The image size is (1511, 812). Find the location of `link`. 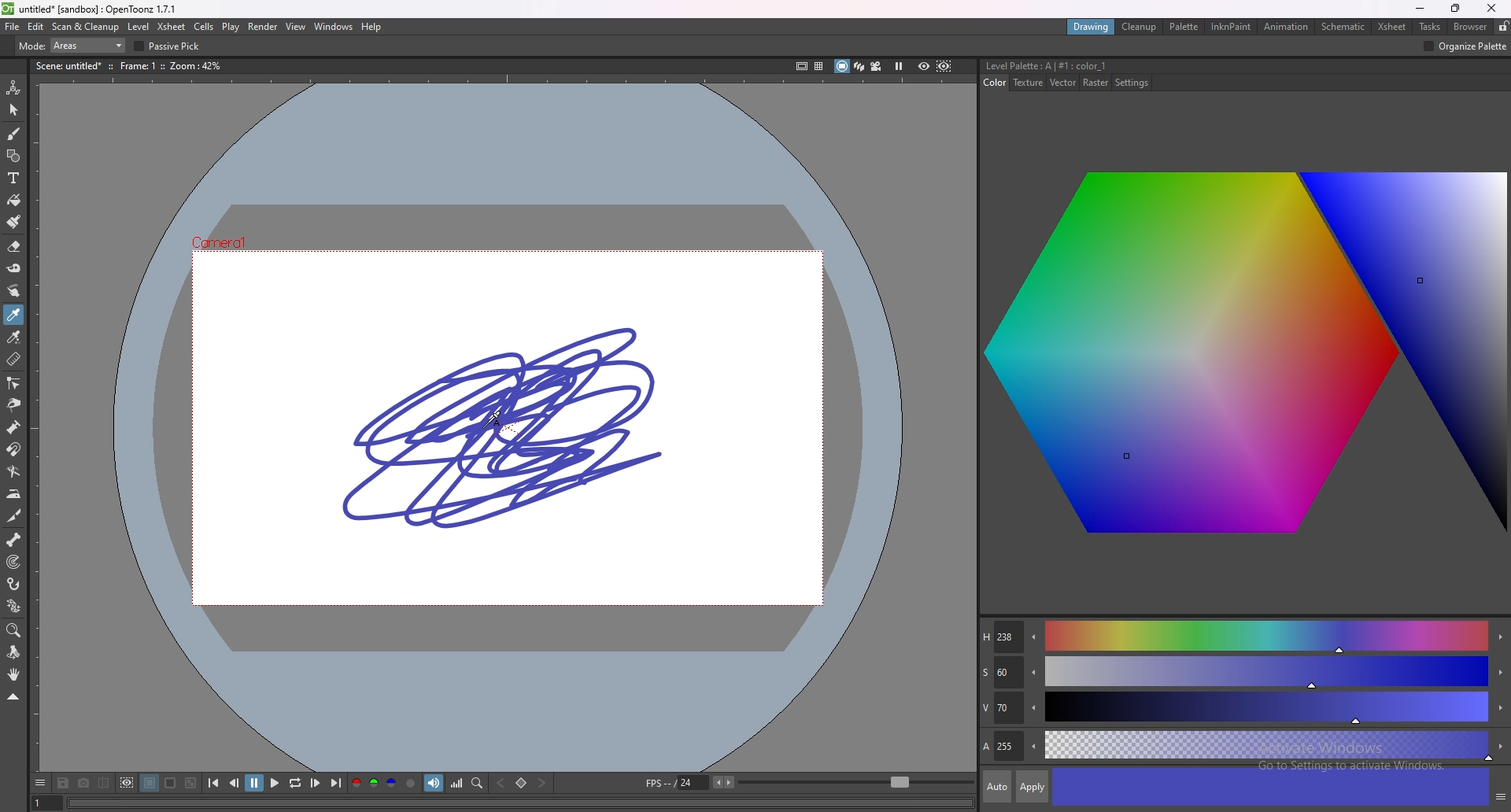

link is located at coordinates (740, 46).